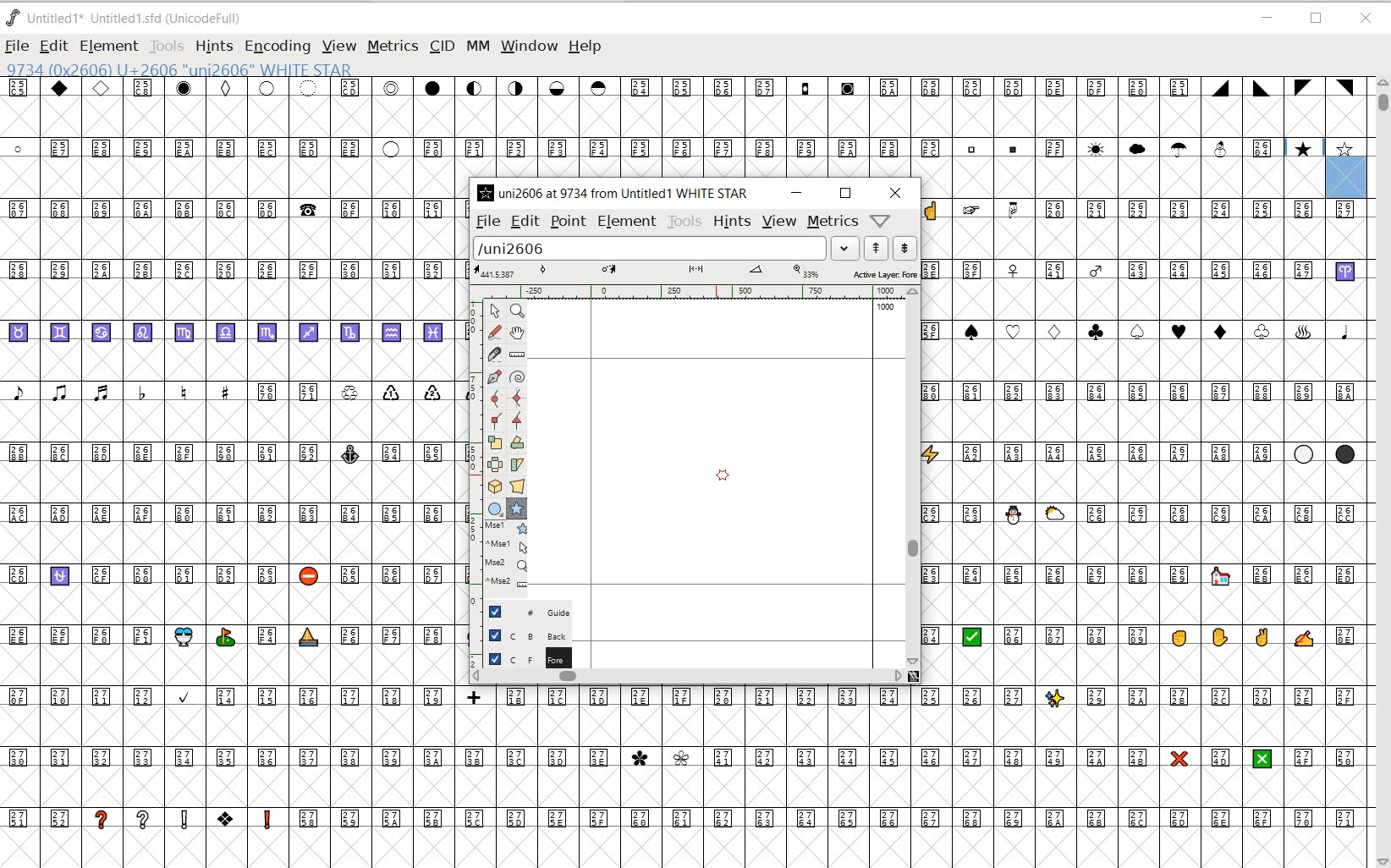 This screenshot has height=868, width=1391. What do you see at coordinates (493, 310) in the screenshot?
I see `POINTER` at bounding box center [493, 310].